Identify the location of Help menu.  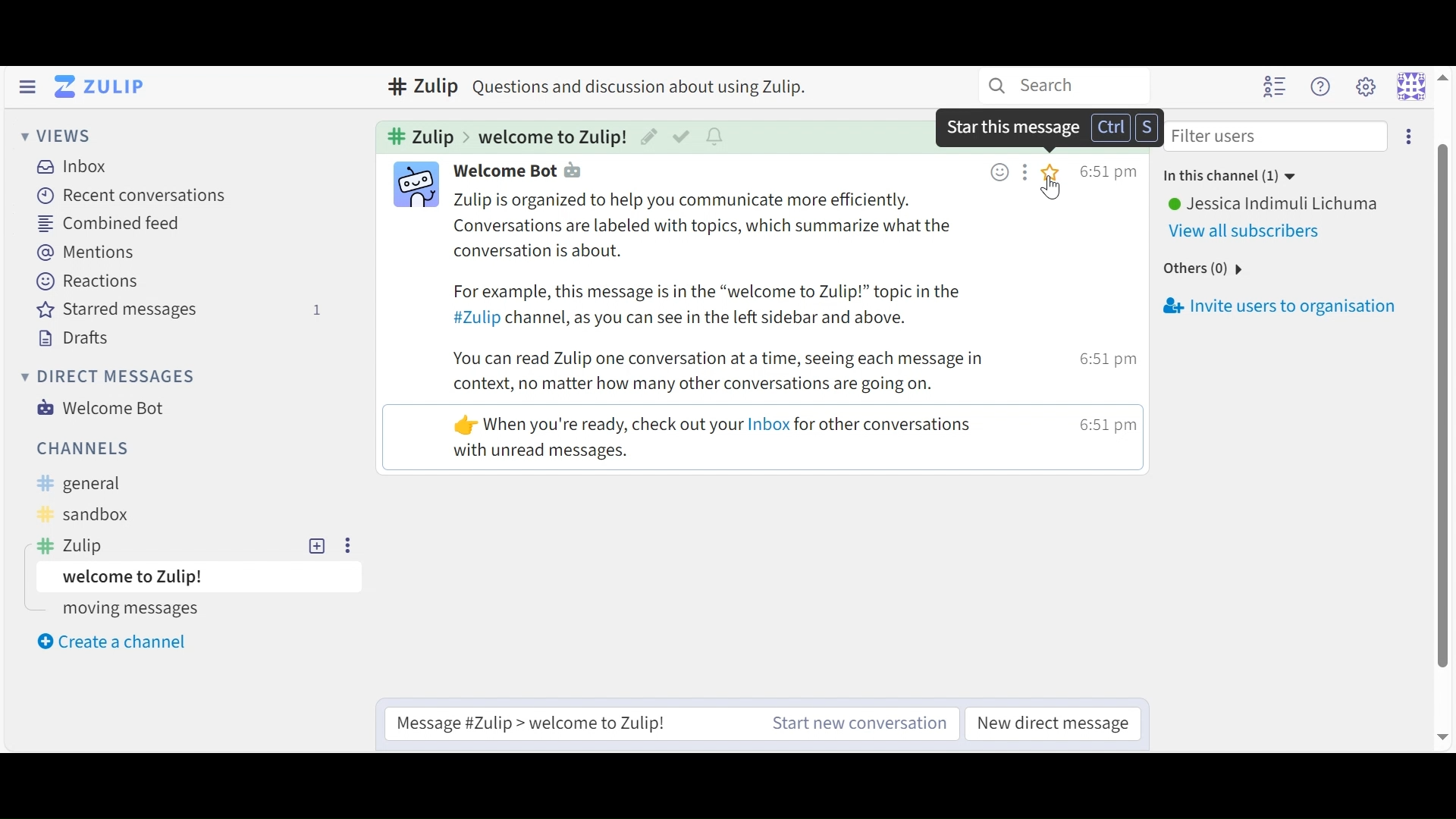
(1323, 86).